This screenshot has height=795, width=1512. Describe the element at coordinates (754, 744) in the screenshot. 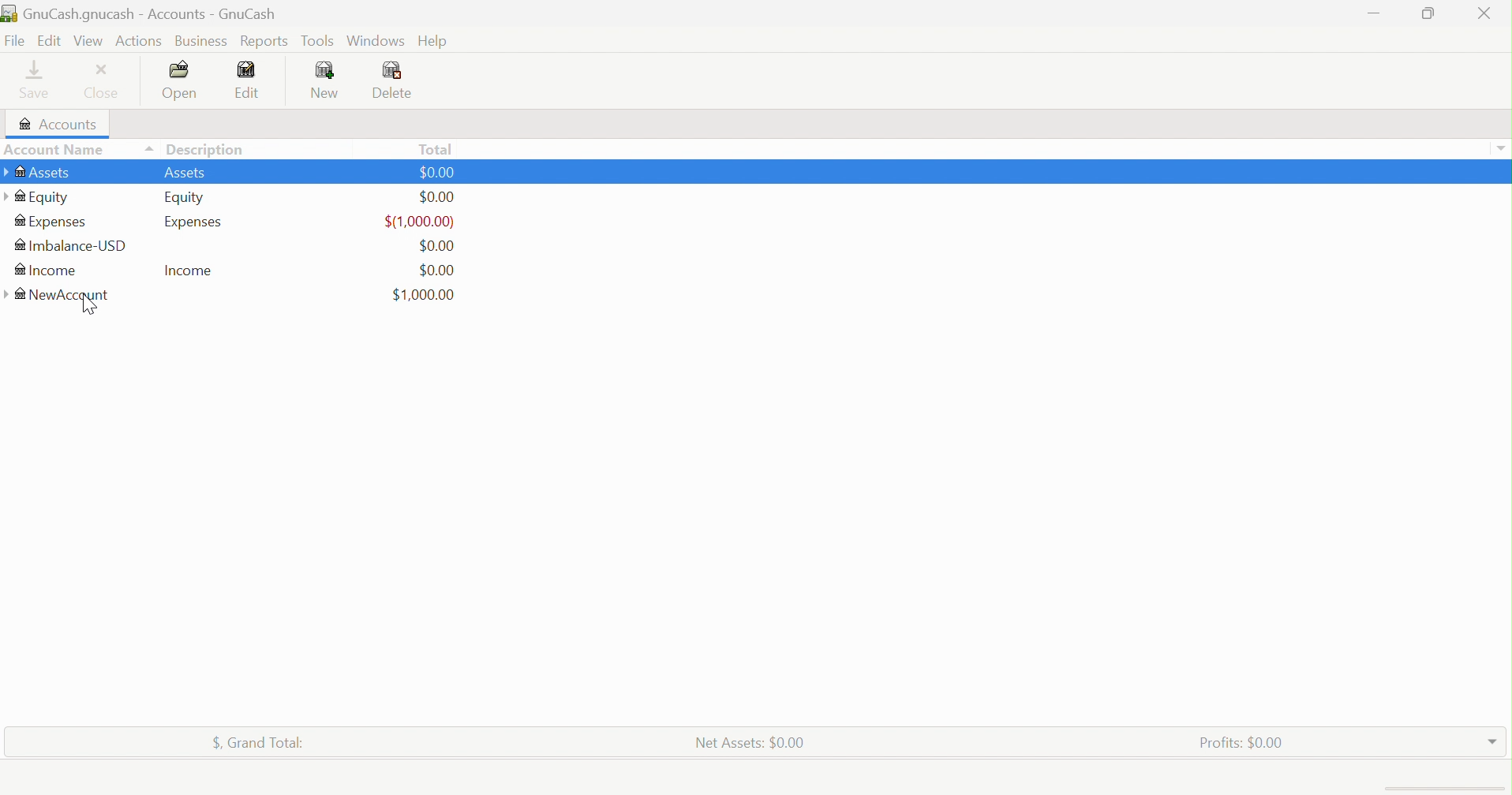

I see `Net Assets: $0.00` at that location.